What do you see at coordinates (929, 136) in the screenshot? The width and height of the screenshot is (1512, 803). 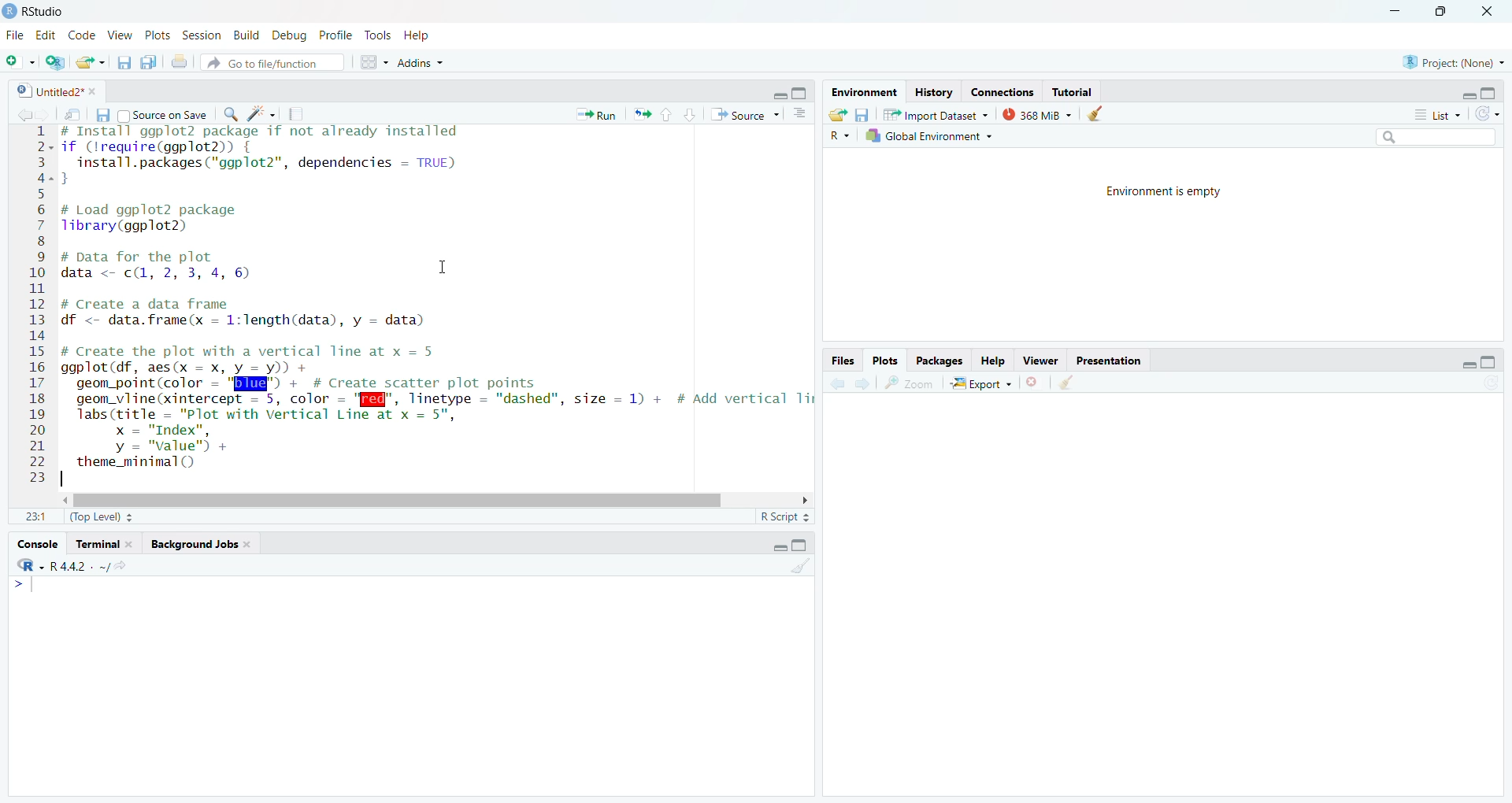 I see `Global Environment +` at bounding box center [929, 136].